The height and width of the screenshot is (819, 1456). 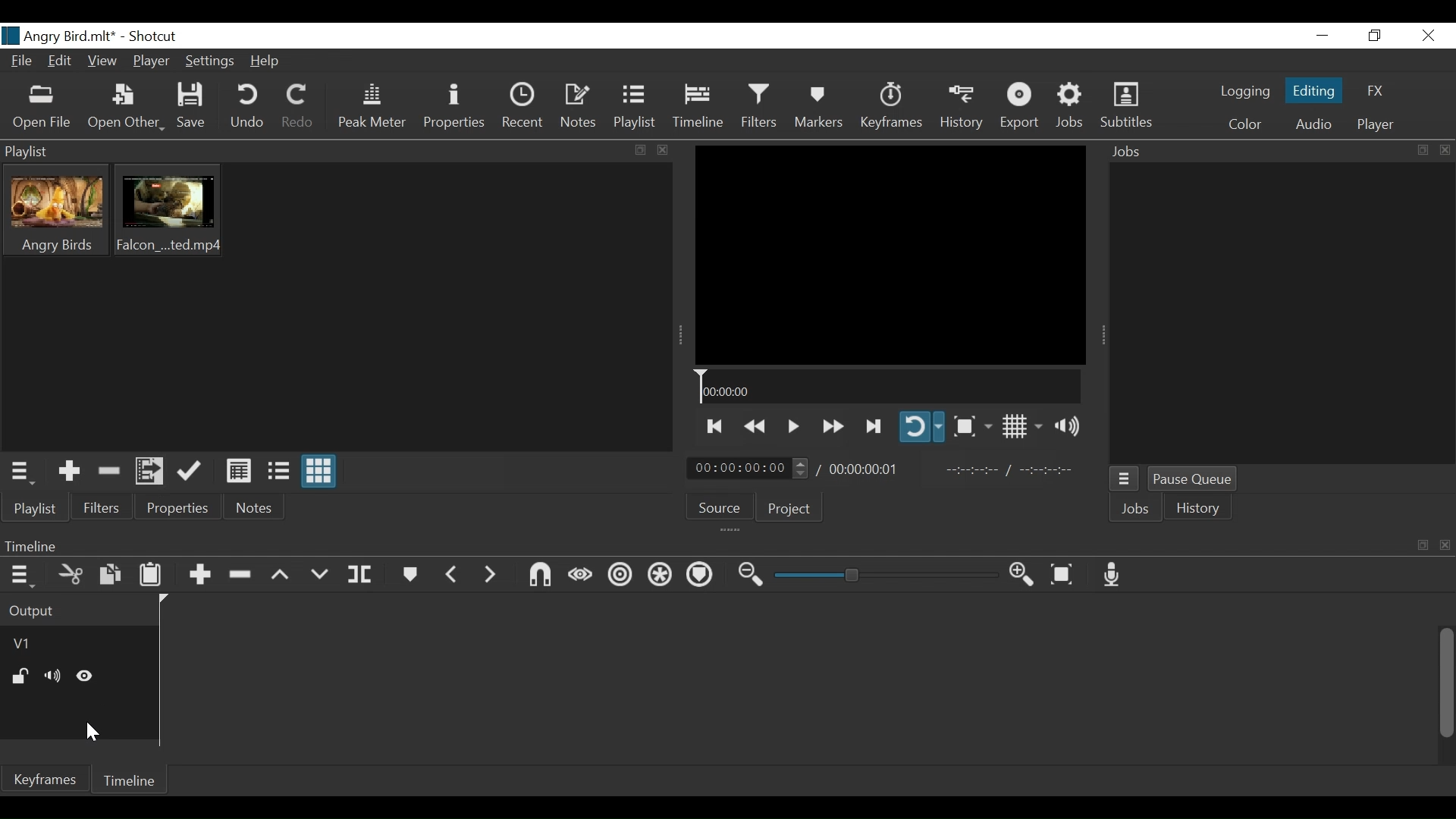 I want to click on Remove cut, so click(x=108, y=470).